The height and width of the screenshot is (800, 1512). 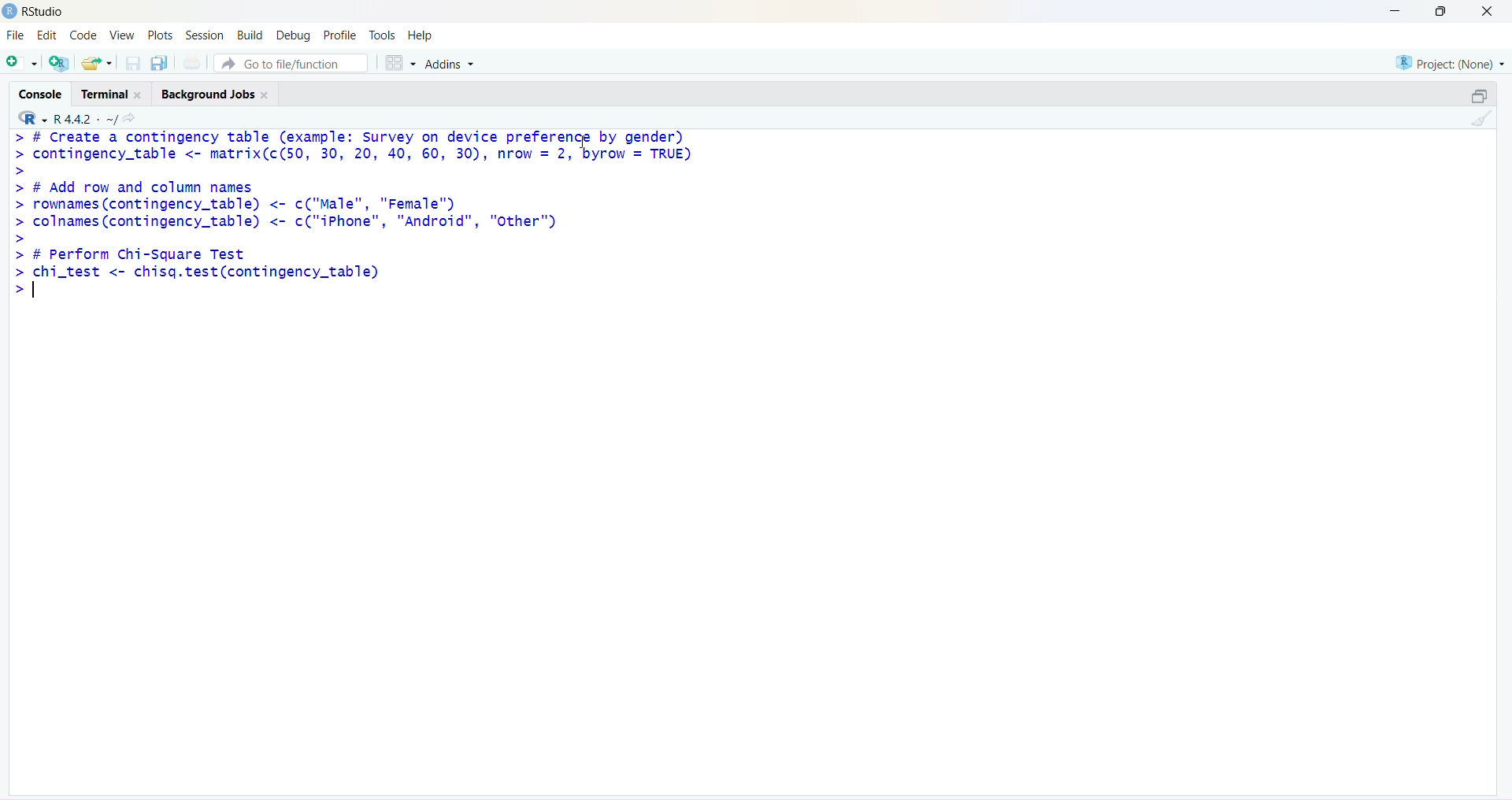 I want to click on > # Create a contingency table (example: Survey on device prefere"t by gender)
> contingency_table <- matrix(c(50, 30, 20, 40, 60, 30), nrow = 2, byrow = TRUE), so click(x=354, y=147).